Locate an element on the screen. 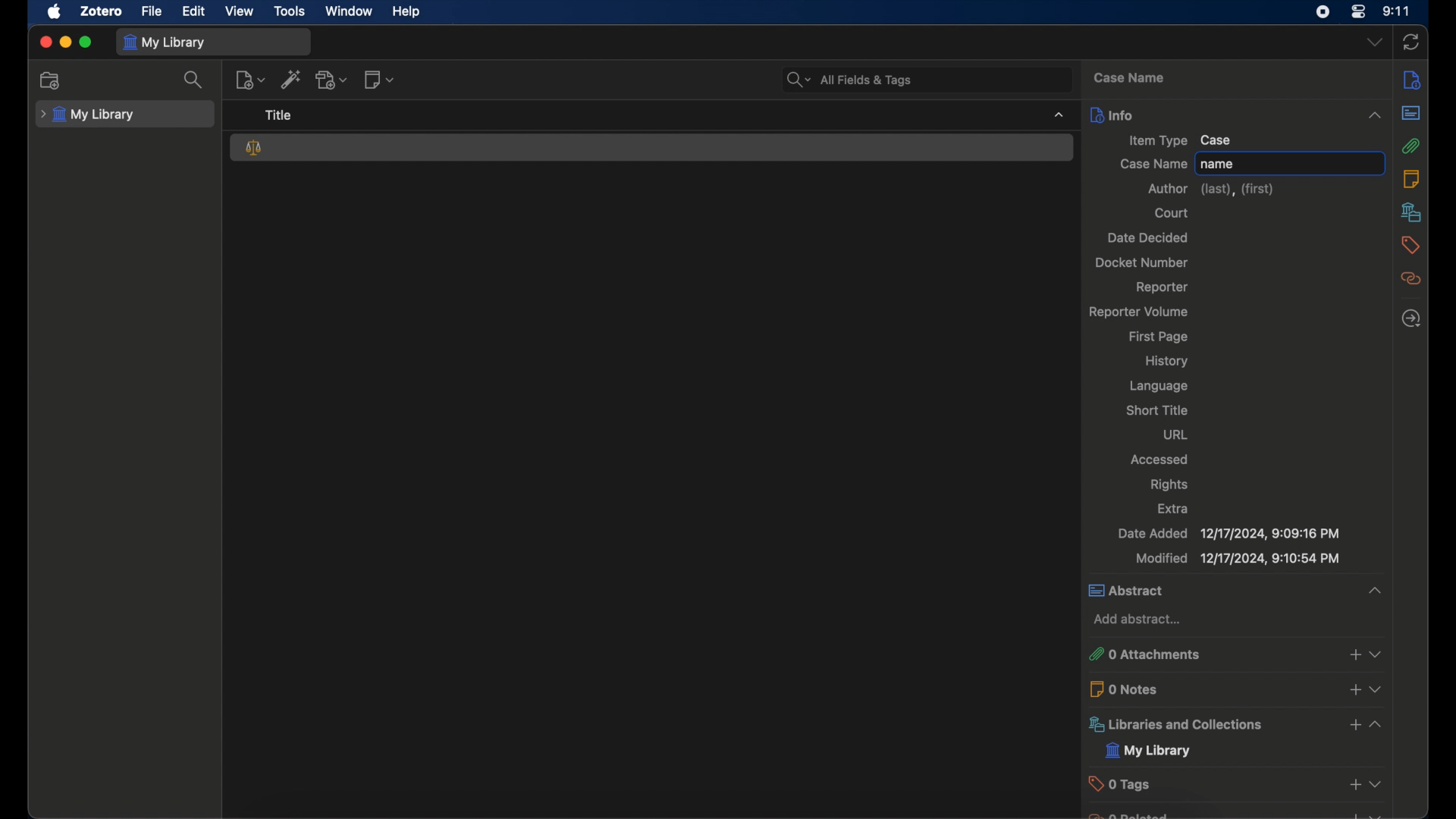  docket number is located at coordinates (1141, 263).